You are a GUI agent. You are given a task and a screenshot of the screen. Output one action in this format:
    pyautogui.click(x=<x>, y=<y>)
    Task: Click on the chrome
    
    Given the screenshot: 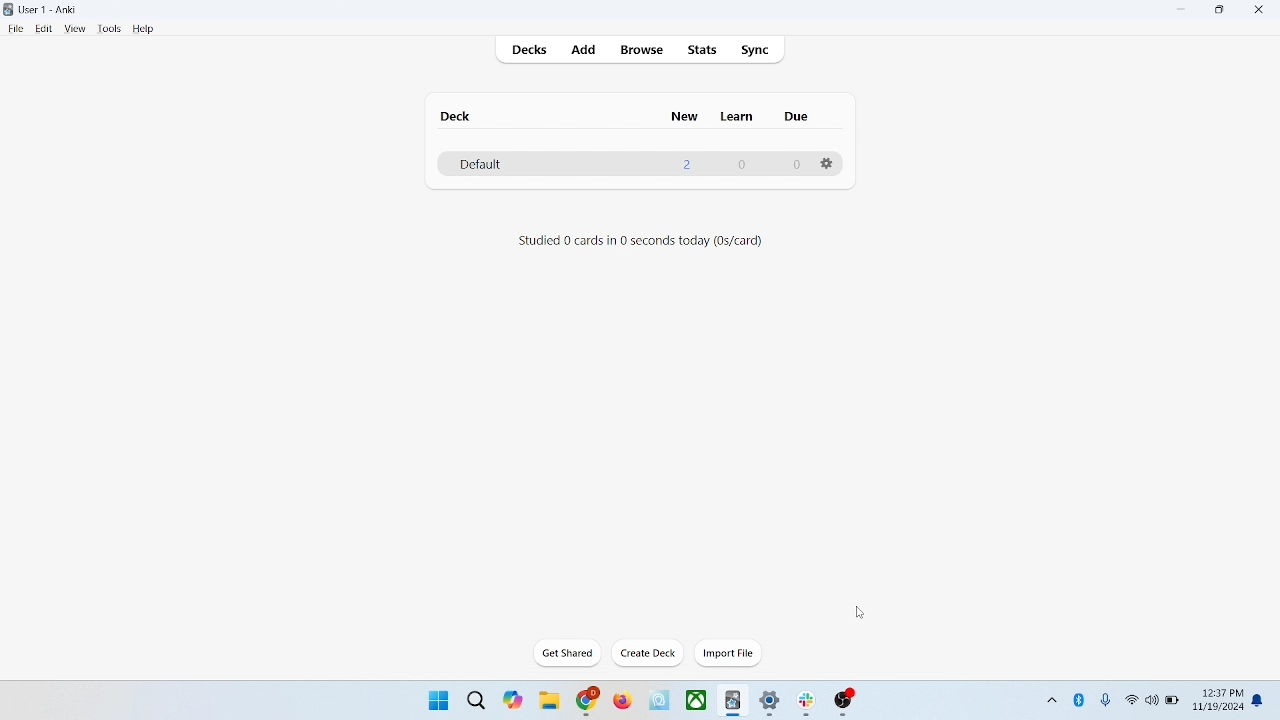 What is the action you would take?
    pyautogui.click(x=588, y=701)
    